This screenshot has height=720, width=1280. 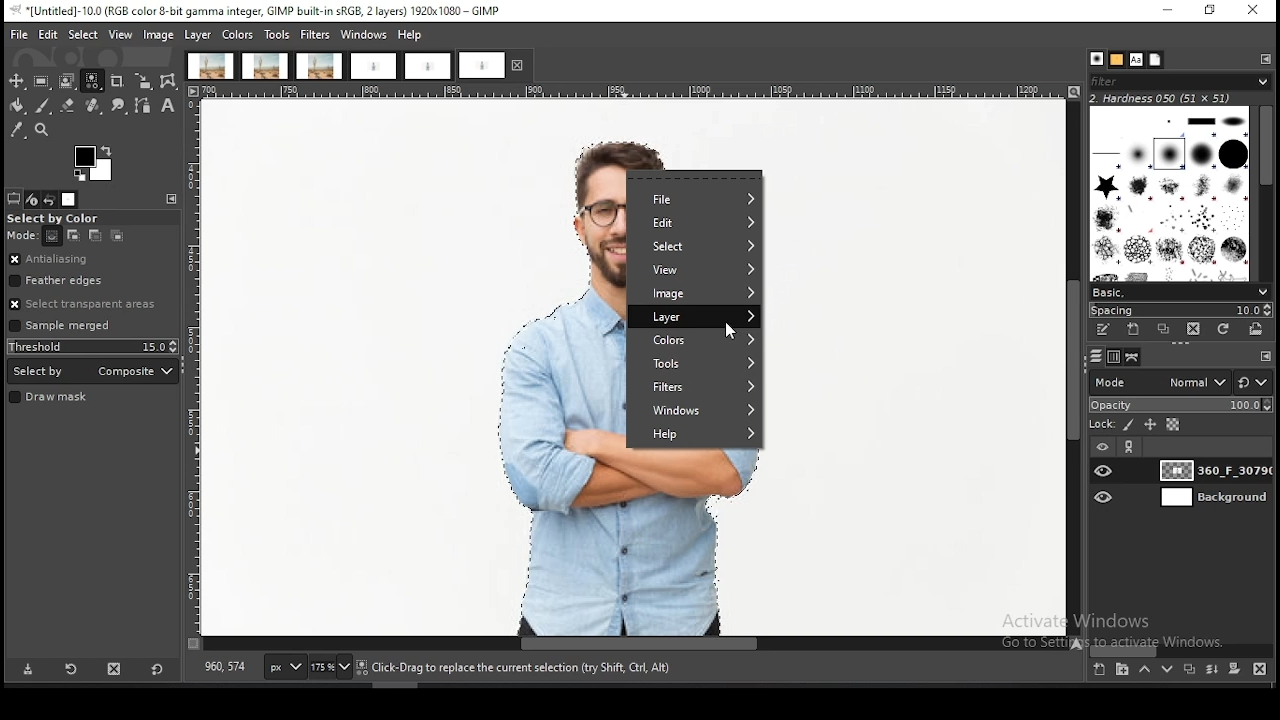 What do you see at coordinates (695, 412) in the screenshot?
I see `windows` at bounding box center [695, 412].